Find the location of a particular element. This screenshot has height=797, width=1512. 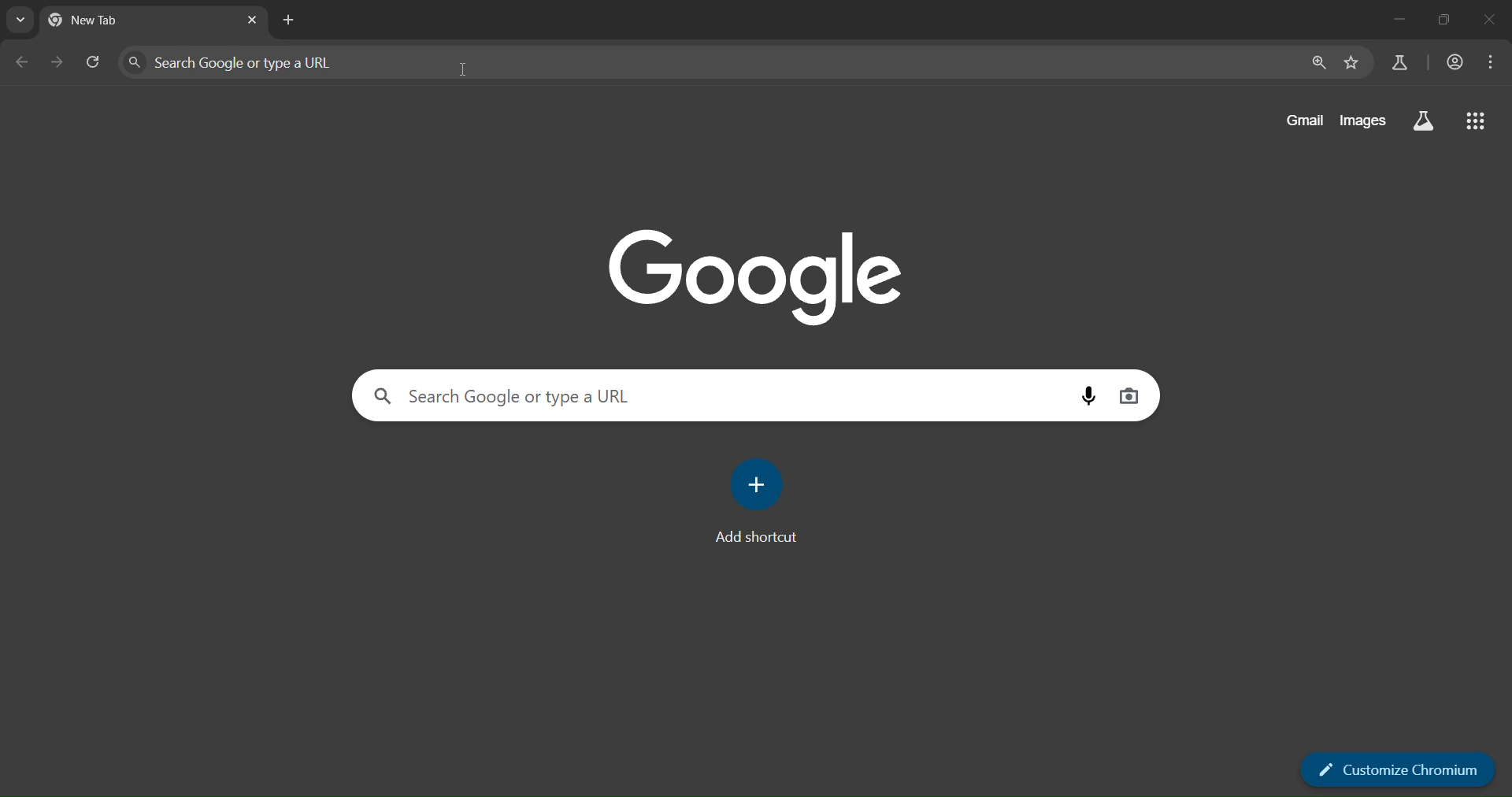

add shortcut is located at coordinates (758, 502).